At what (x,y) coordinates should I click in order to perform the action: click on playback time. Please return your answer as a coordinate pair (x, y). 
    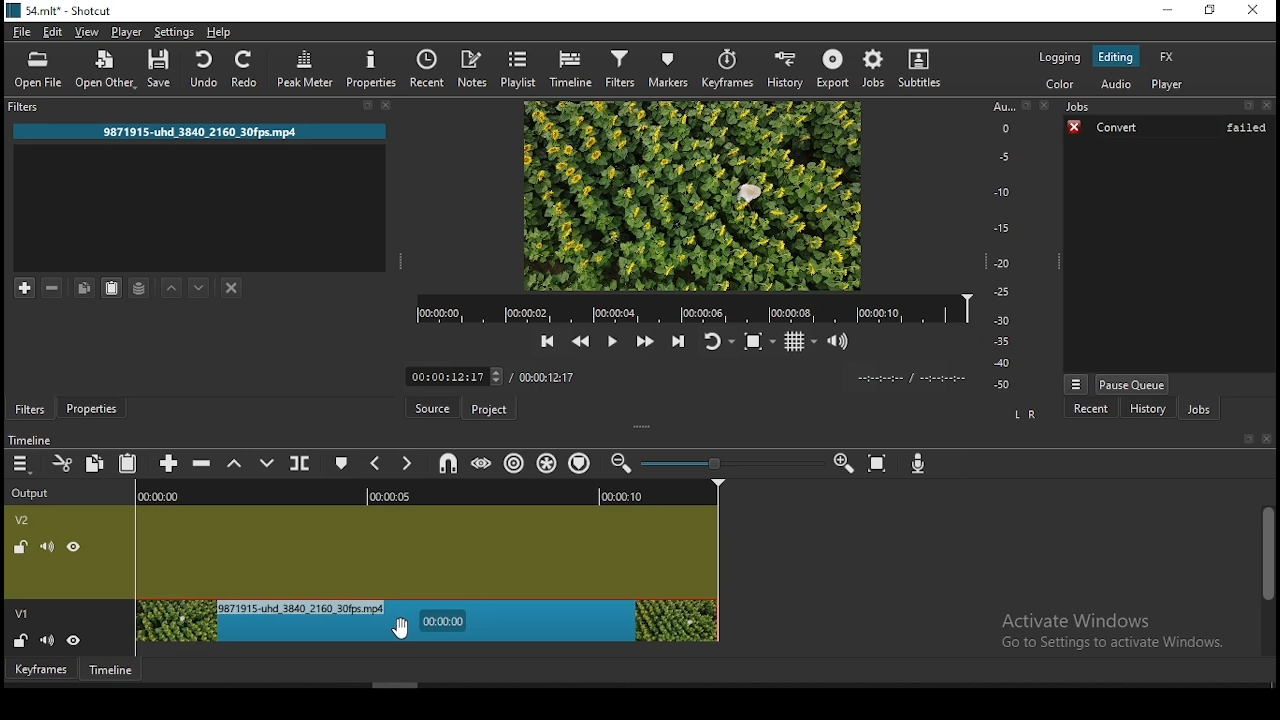
    Looking at the image, I should click on (693, 309).